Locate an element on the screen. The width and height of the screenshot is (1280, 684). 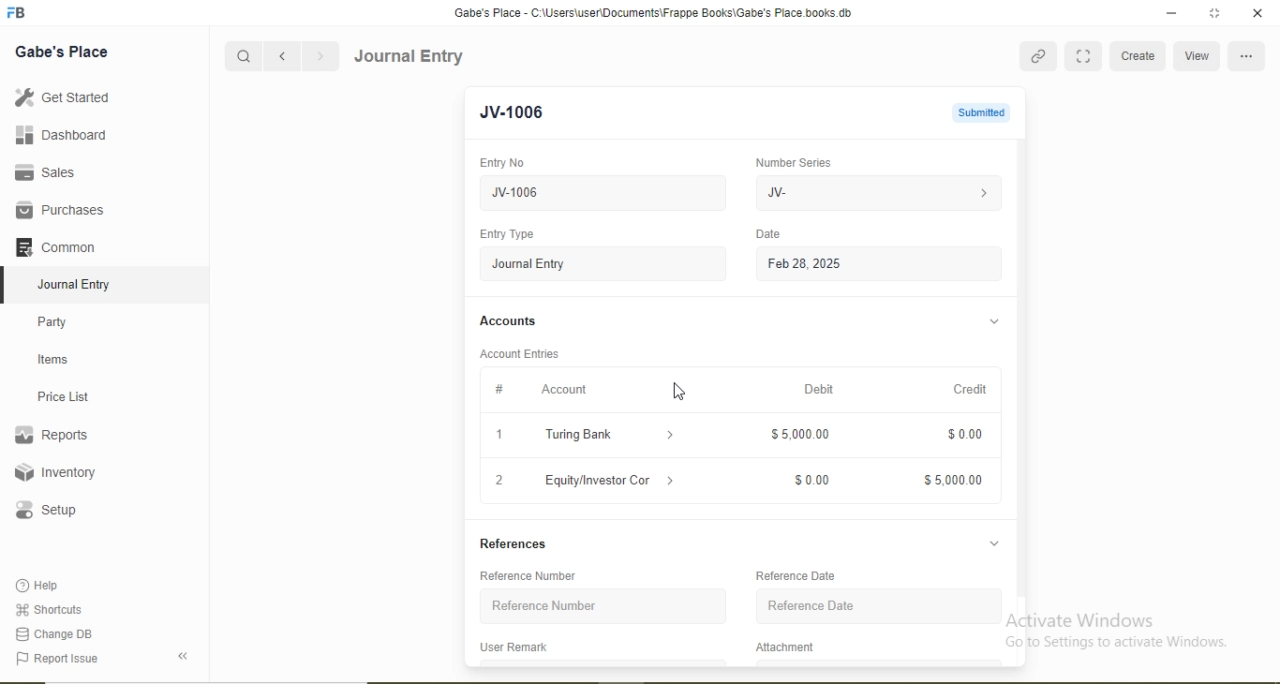
# is located at coordinates (500, 388).